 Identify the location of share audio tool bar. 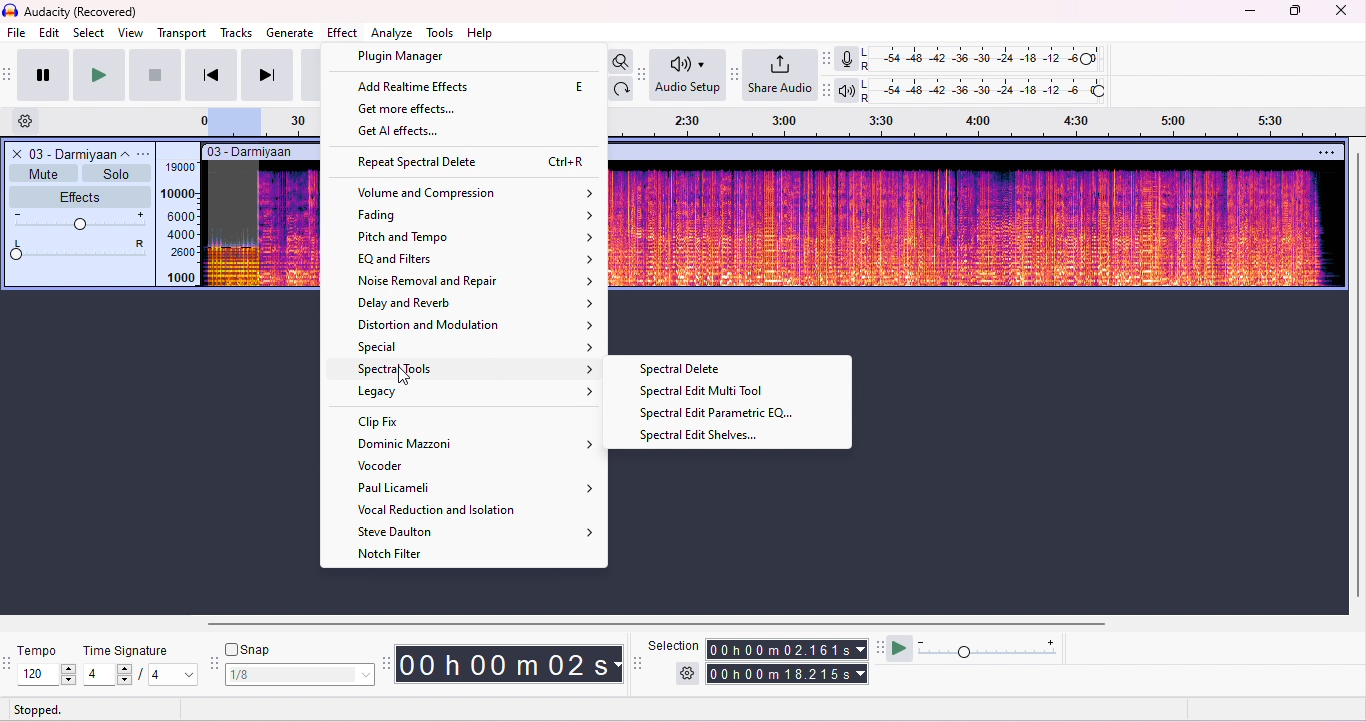
(736, 74).